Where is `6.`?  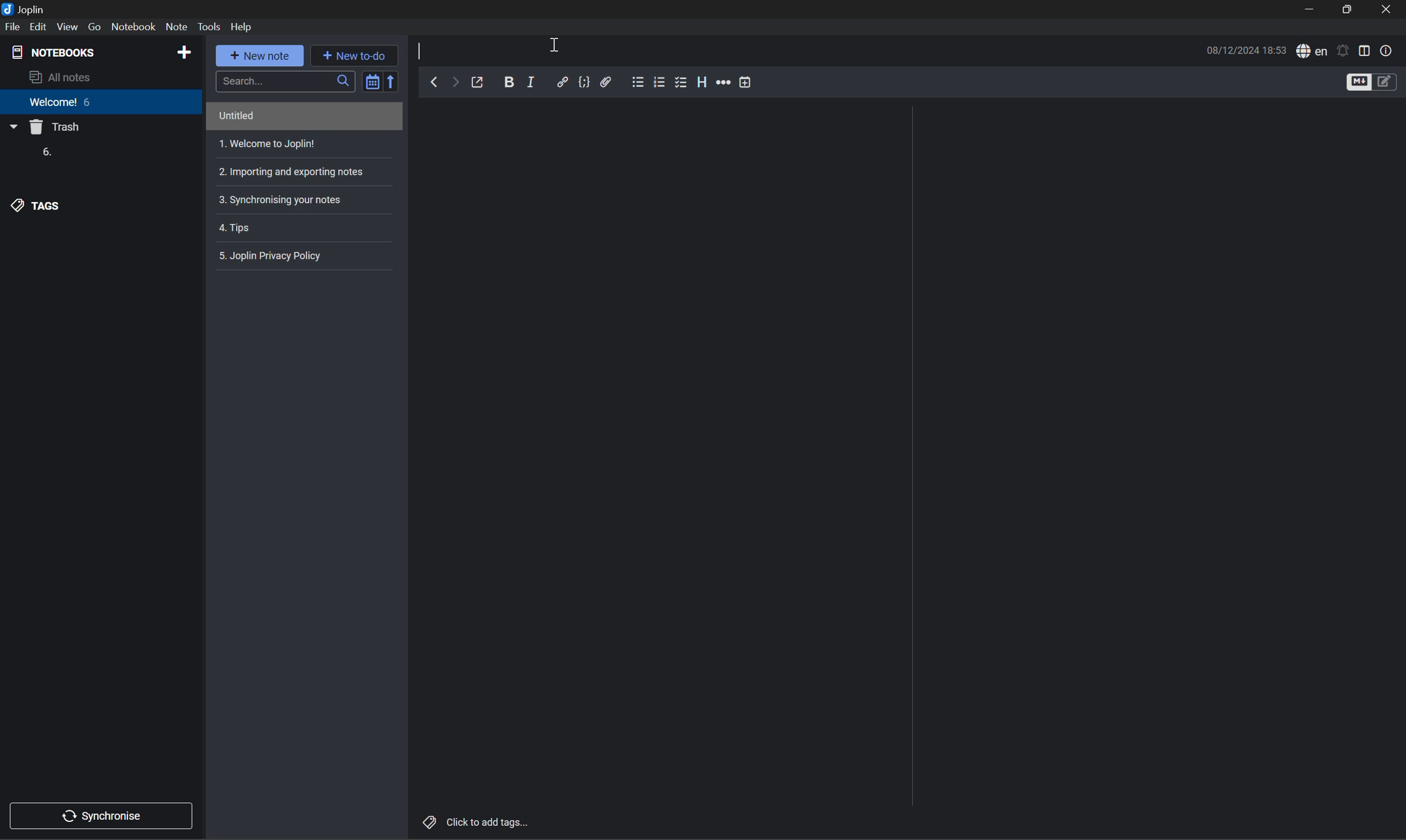
6. is located at coordinates (45, 153).